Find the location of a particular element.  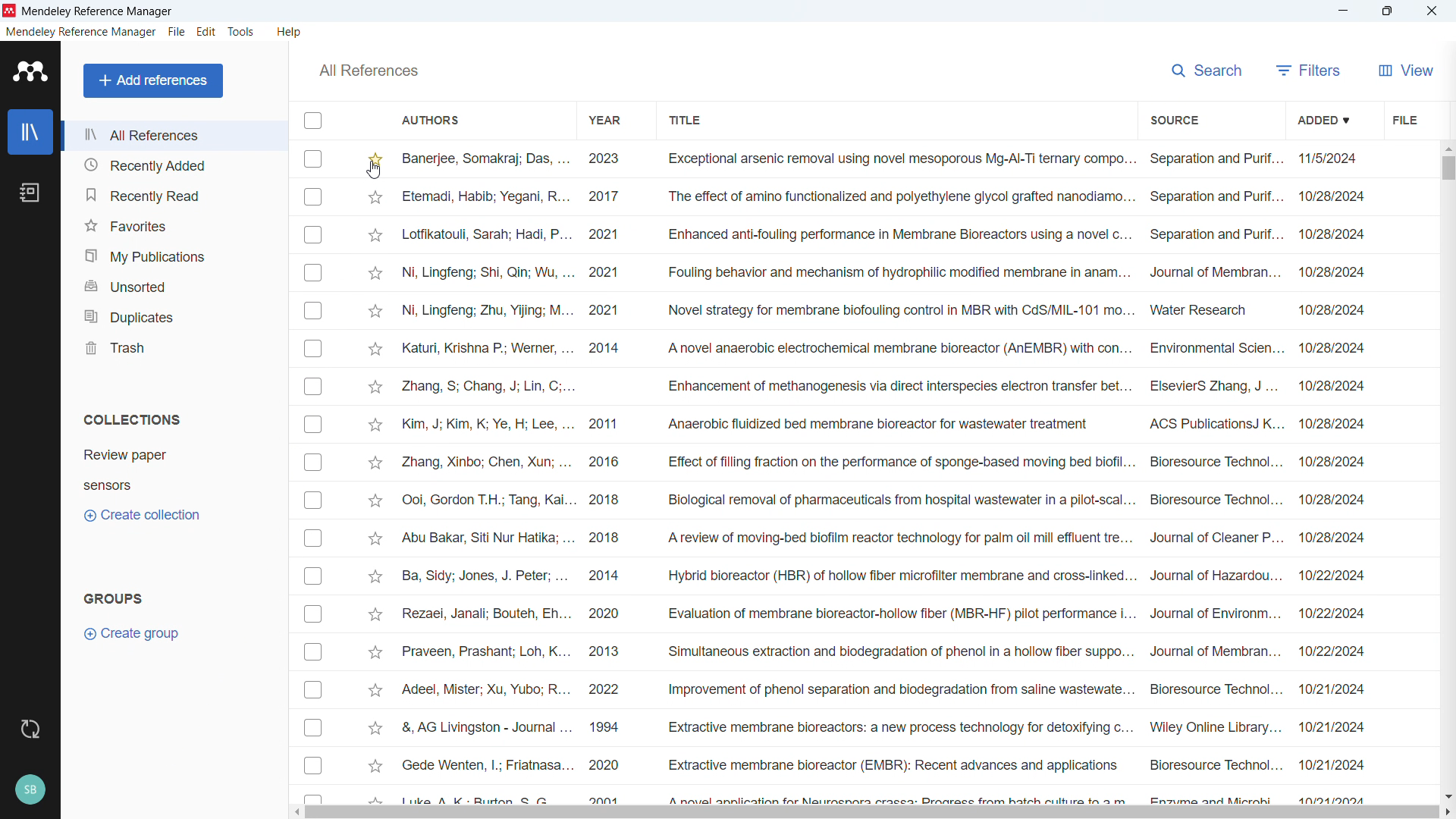

minimise  is located at coordinates (1342, 11).